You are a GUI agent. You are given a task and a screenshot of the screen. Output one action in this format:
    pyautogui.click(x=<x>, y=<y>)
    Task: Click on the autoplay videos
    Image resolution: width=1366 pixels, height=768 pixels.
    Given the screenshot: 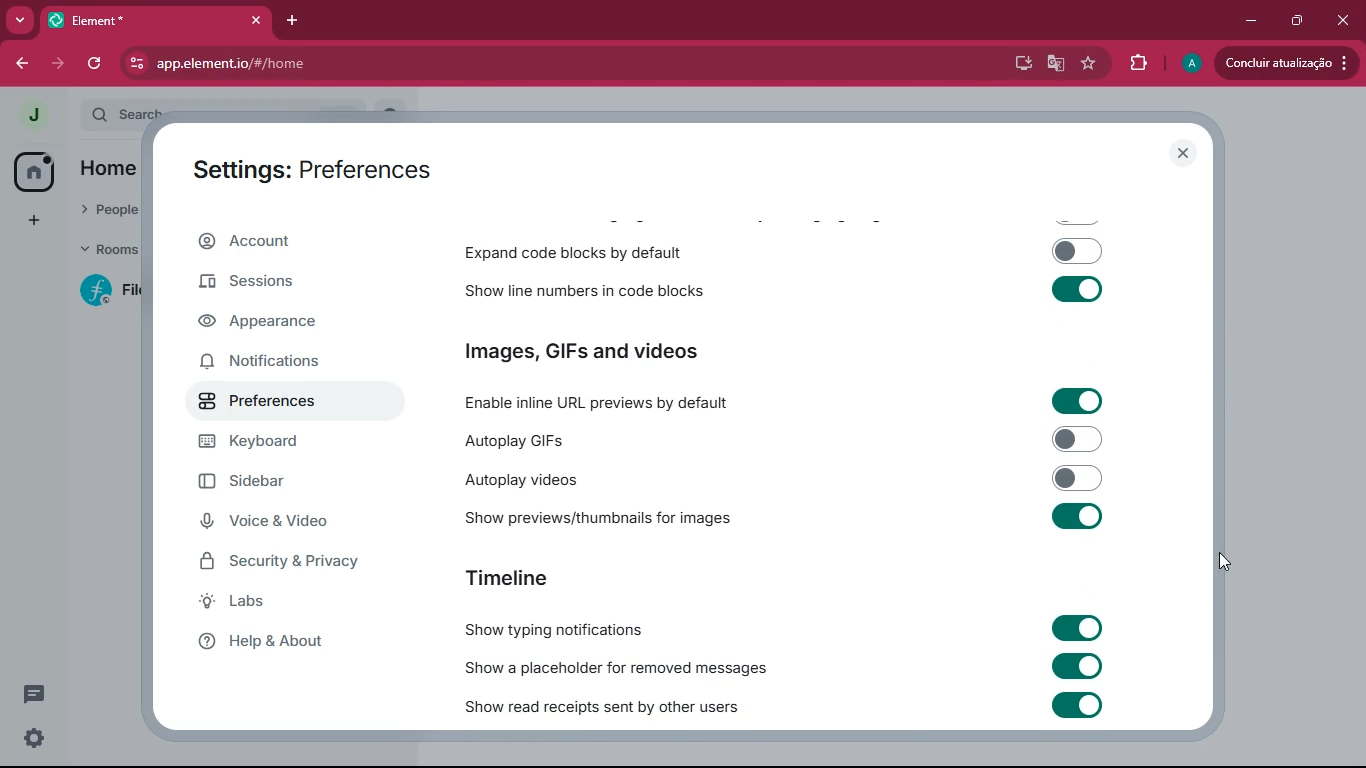 What is the action you would take?
    pyautogui.click(x=581, y=478)
    